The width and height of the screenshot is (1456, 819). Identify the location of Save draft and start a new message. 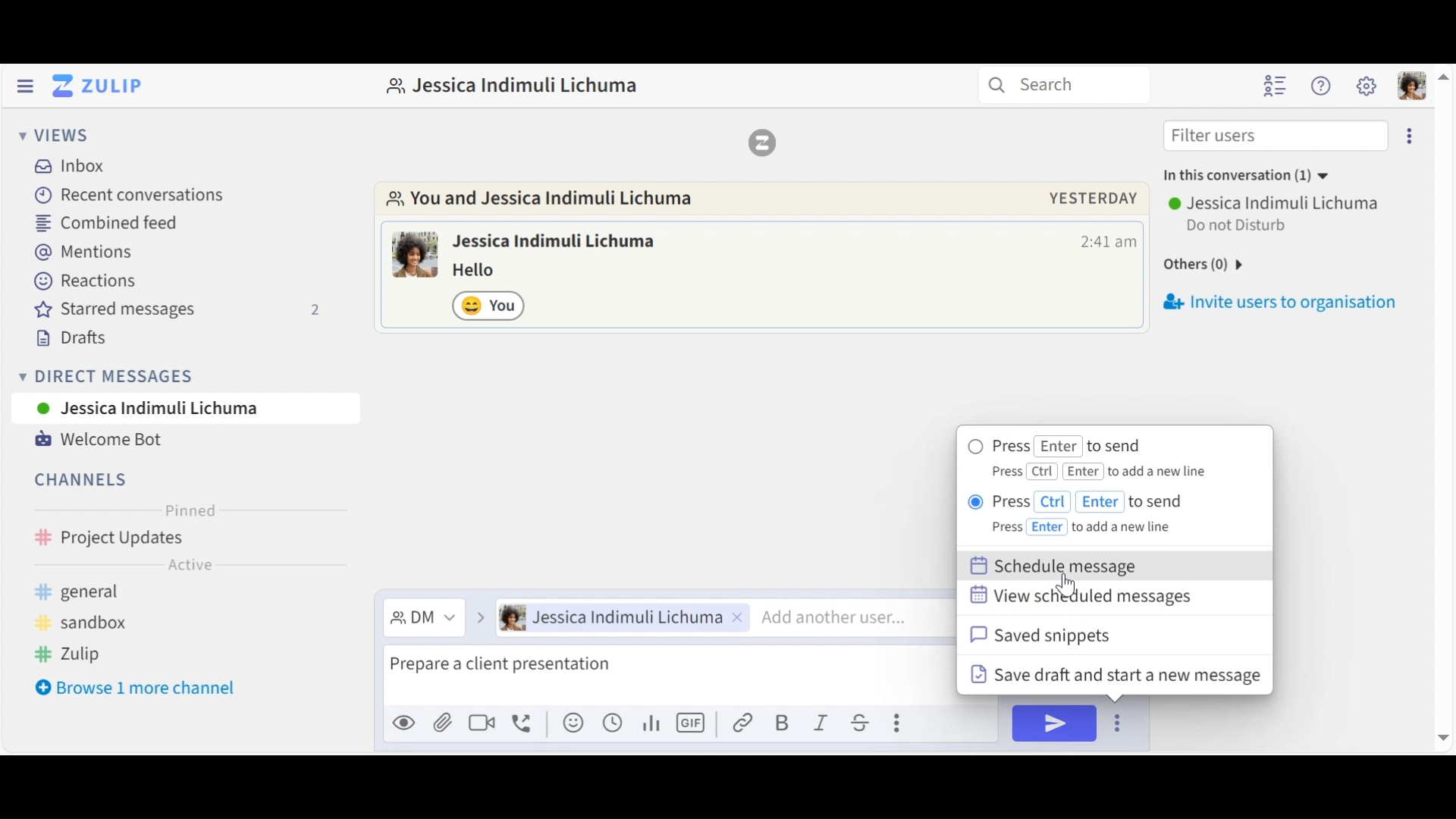
(1113, 674).